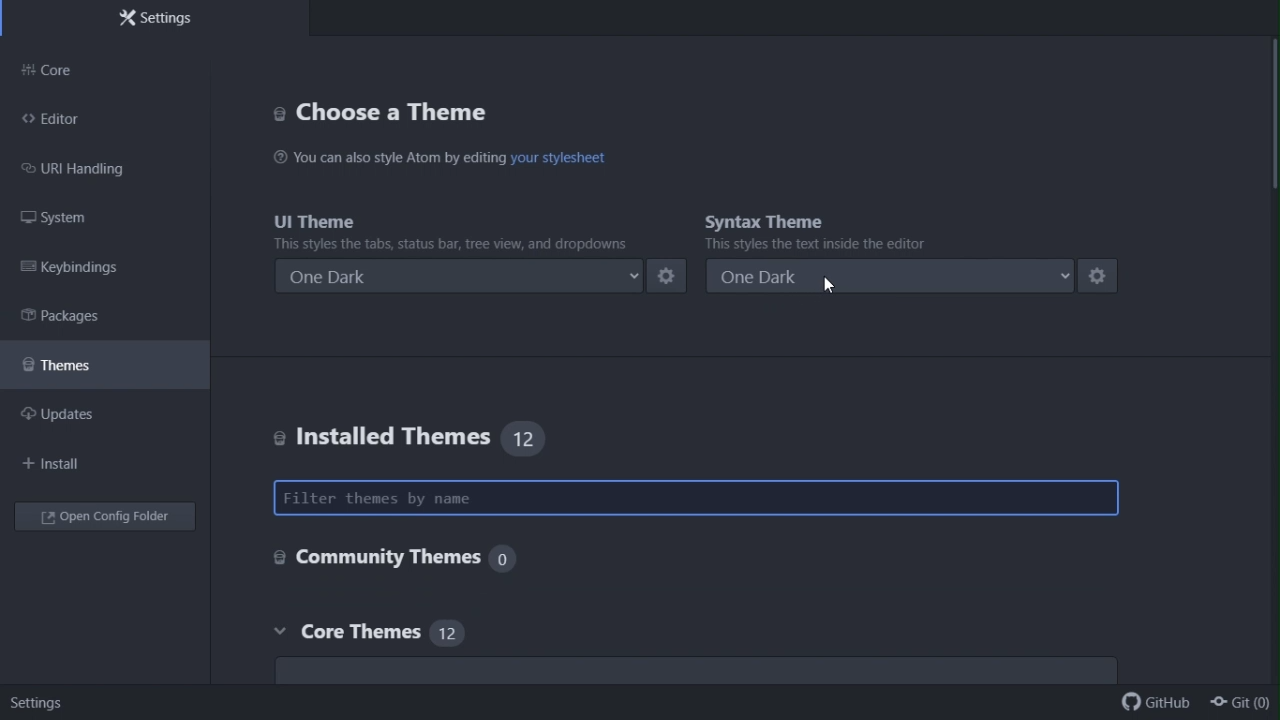 The width and height of the screenshot is (1280, 720). Describe the element at coordinates (1148, 706) in the screenshot. I see `github` at that location.